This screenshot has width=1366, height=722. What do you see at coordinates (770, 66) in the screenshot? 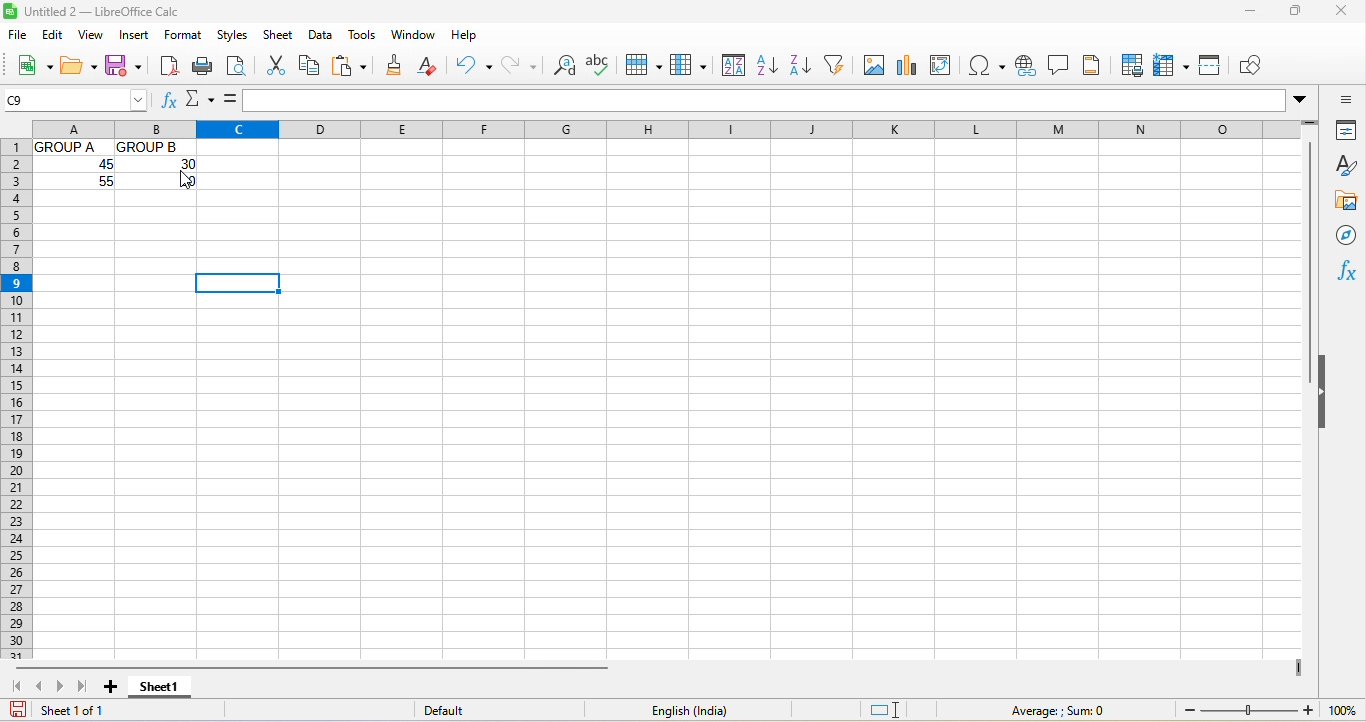
I see `sort ascending` at bounding box center [770, 66].